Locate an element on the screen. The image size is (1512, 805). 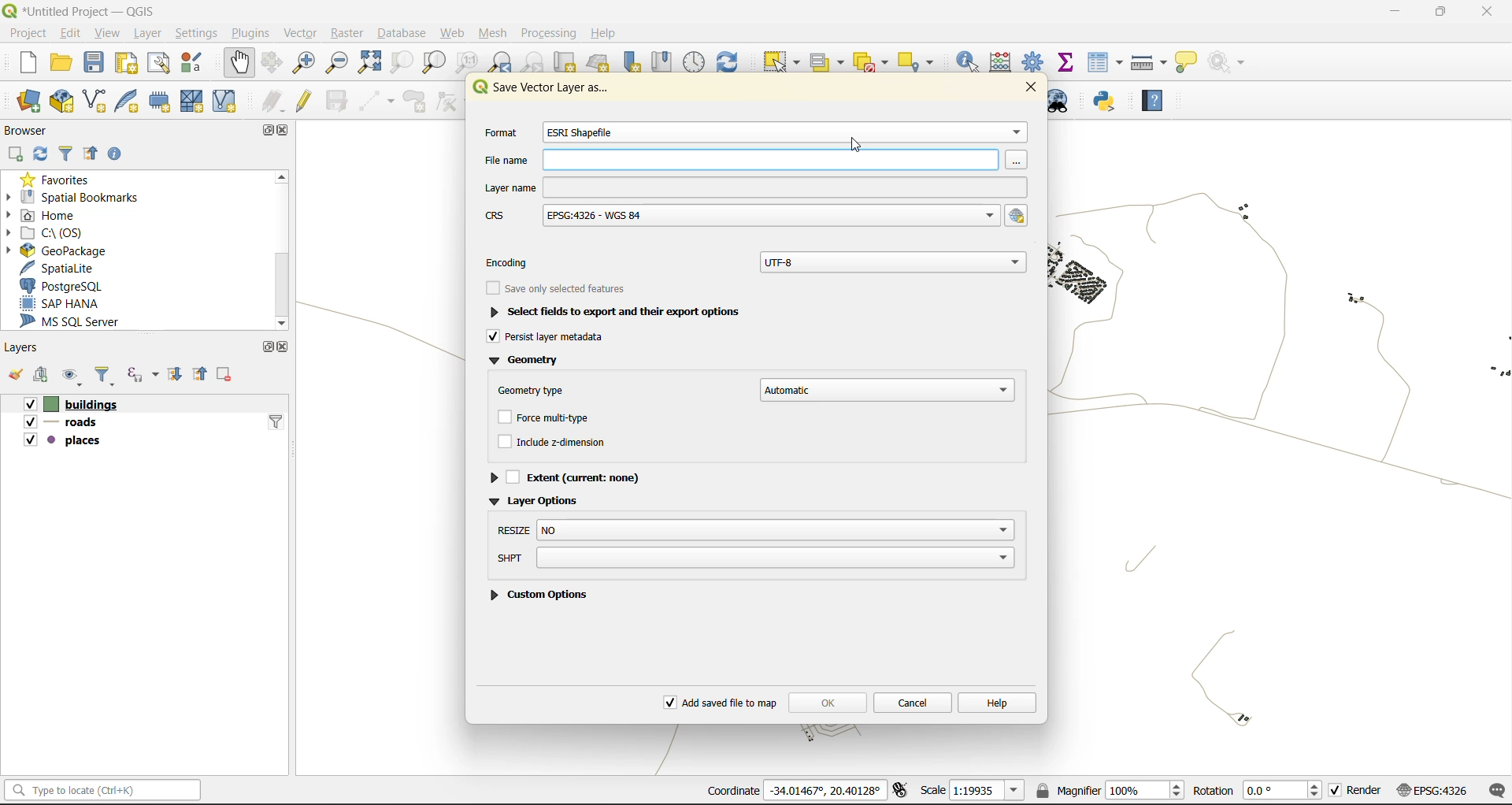
style manager is located at coordinates (192, 65).